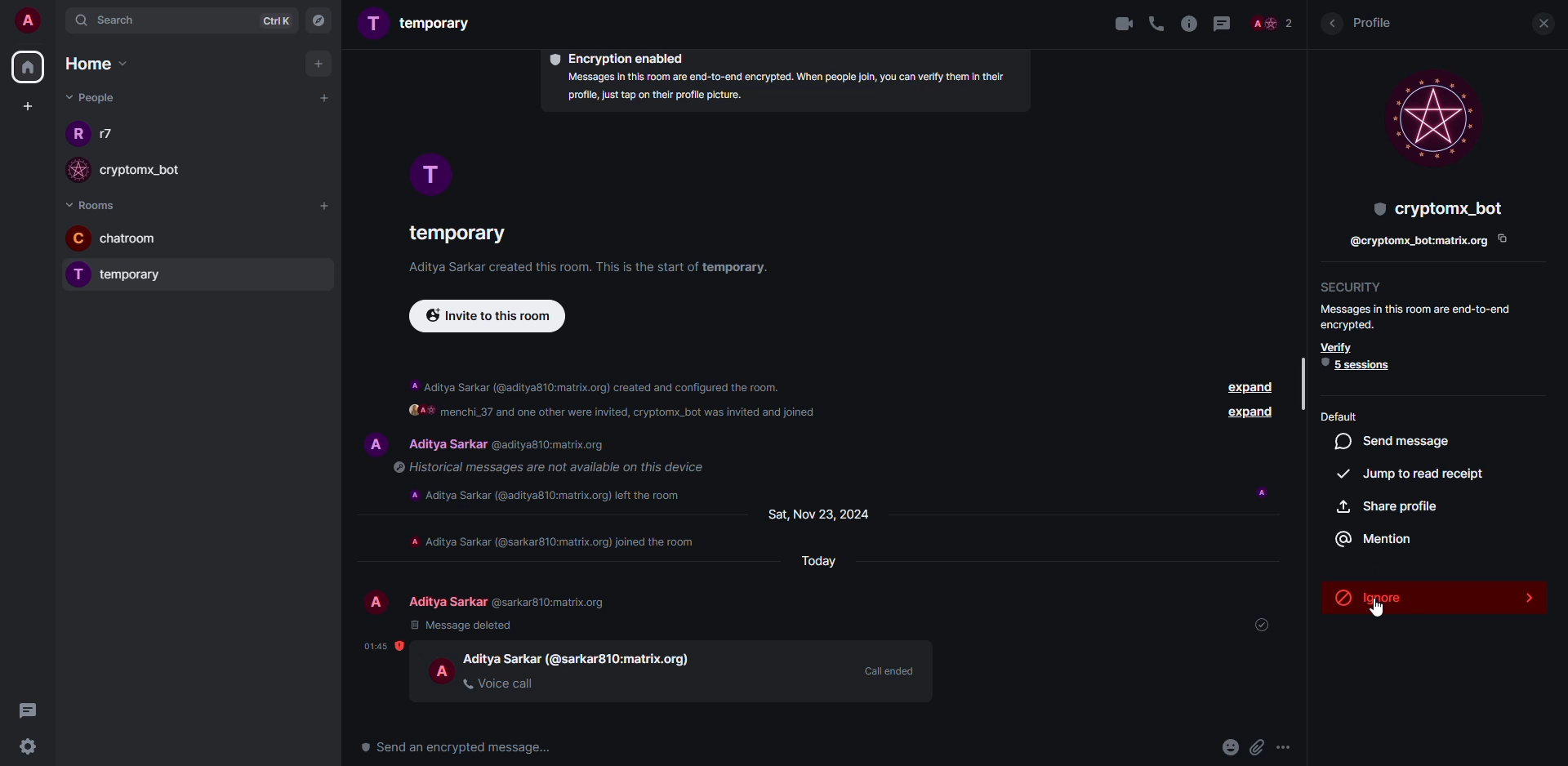 This screenshot has height=766, width=1568. I want to click on info, so click(555, 541).